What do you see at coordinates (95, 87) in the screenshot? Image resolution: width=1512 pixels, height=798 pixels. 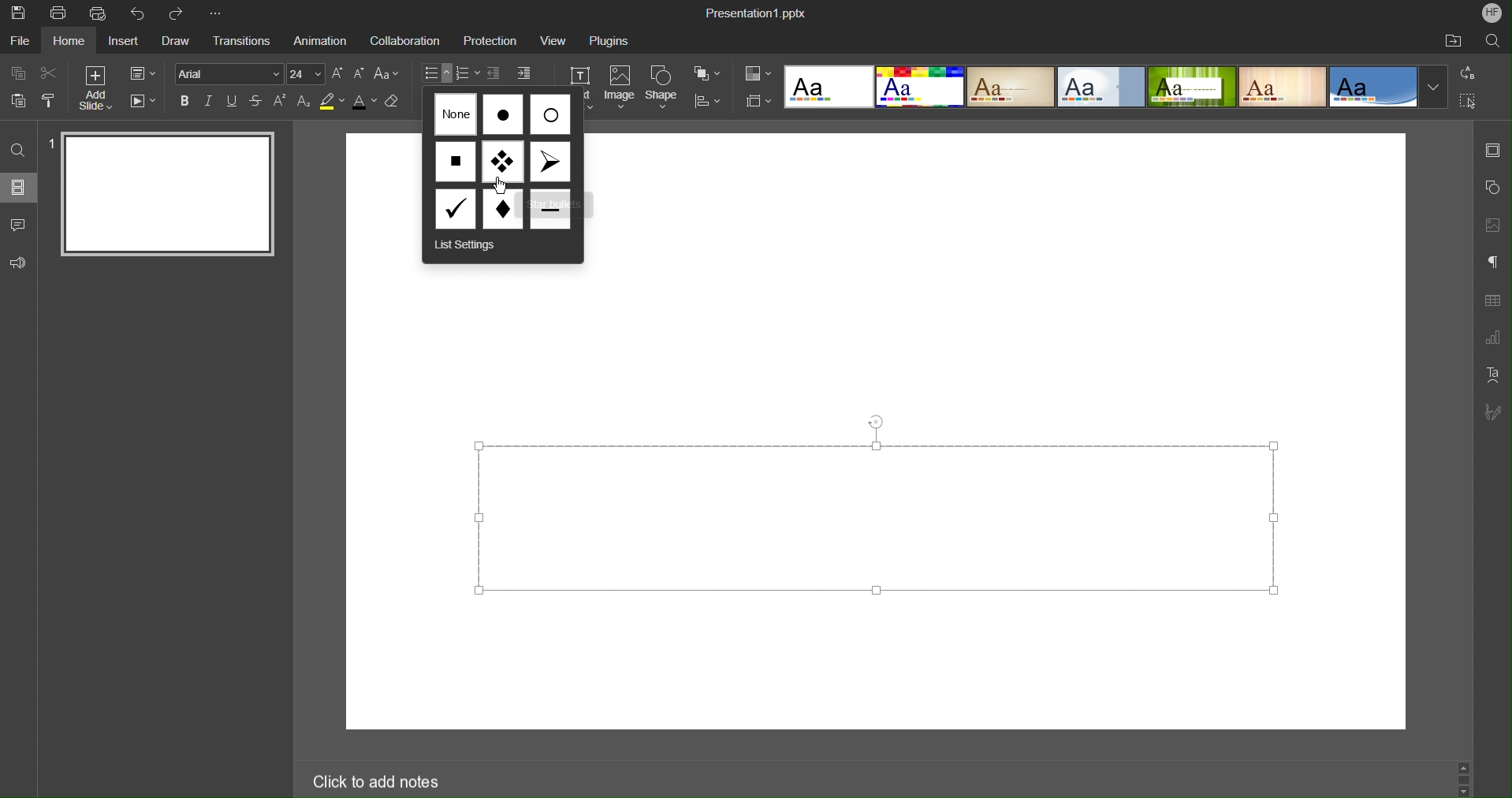 I see `Add Slide` at bounding box center [95, 87].